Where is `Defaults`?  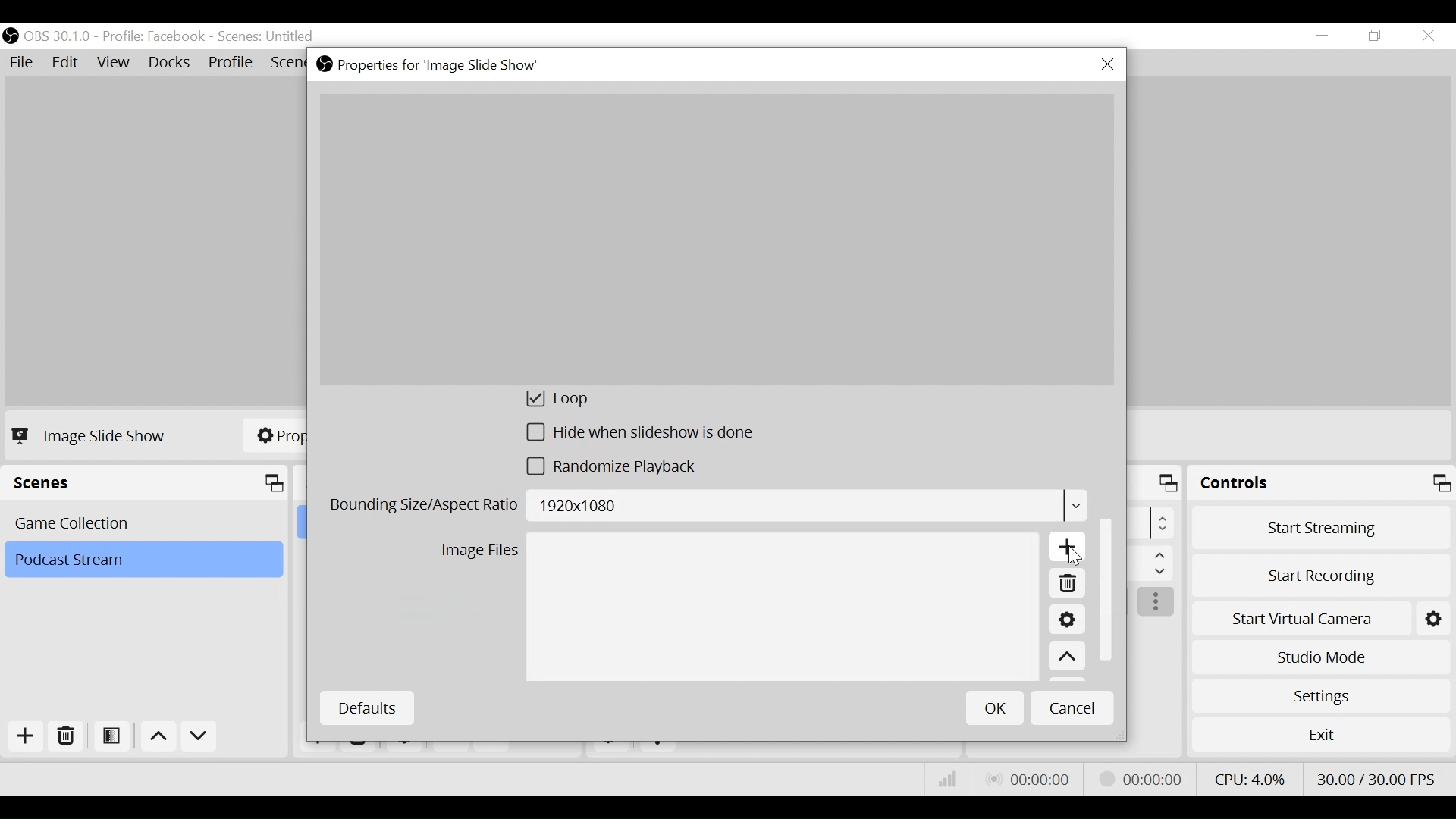 Defaults is located at coordinates (366, 708).